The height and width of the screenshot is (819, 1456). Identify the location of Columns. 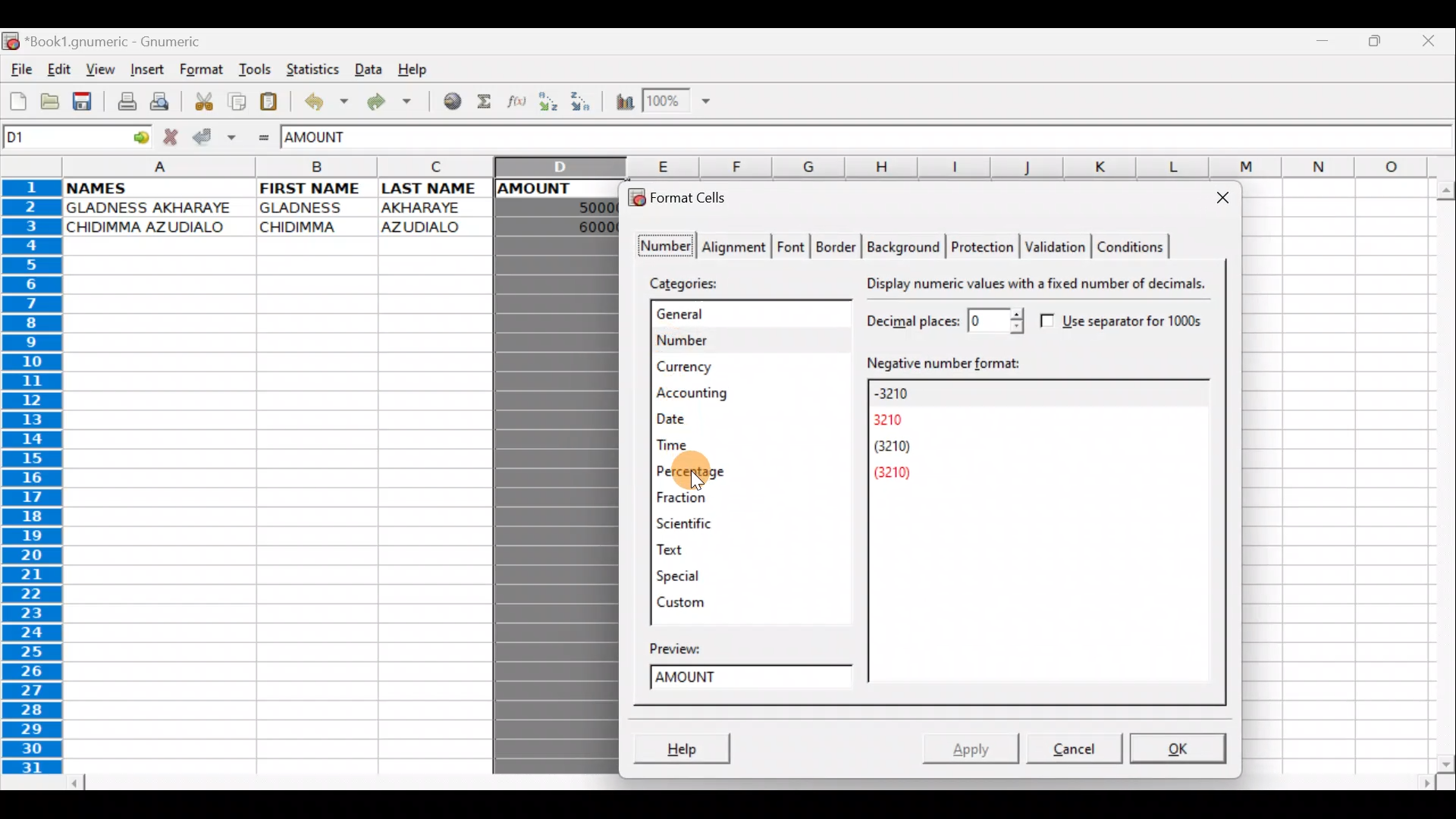
(758, 166).